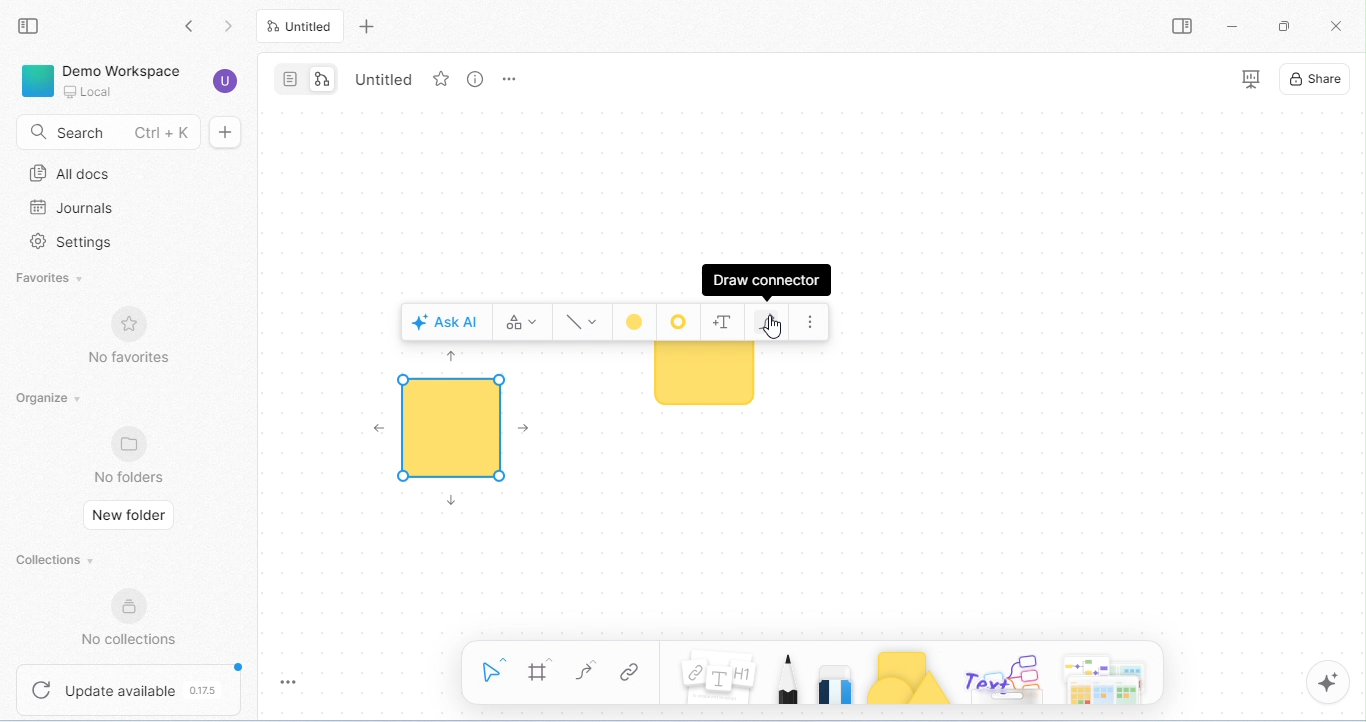 The width and height of the screenshot is (1366, 722). Describe the element at coordinates (581, 322) in the screenshot. I see `style` at that location.